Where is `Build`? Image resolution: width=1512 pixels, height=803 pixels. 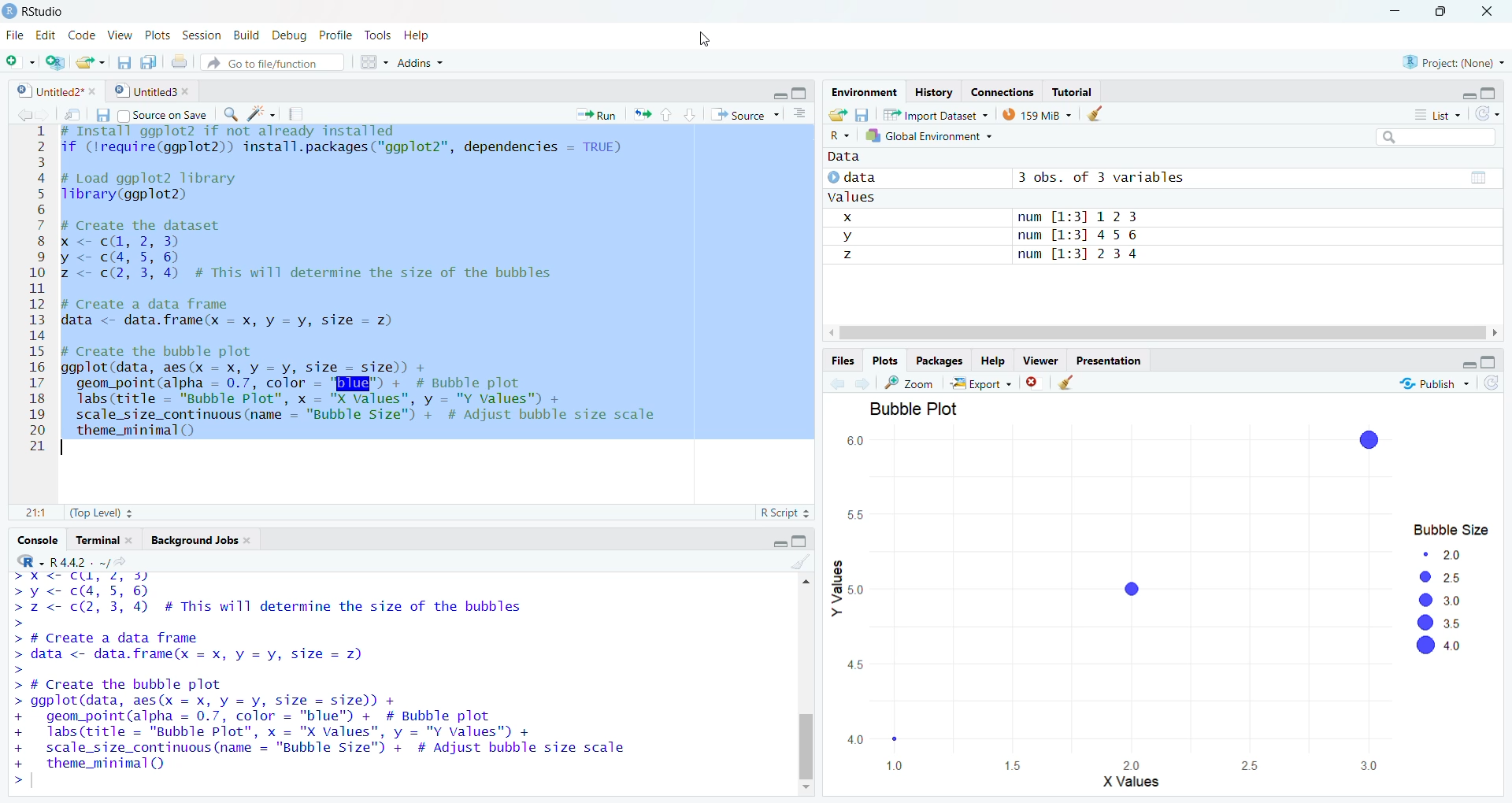 Build is located at coordinates (243, 36).